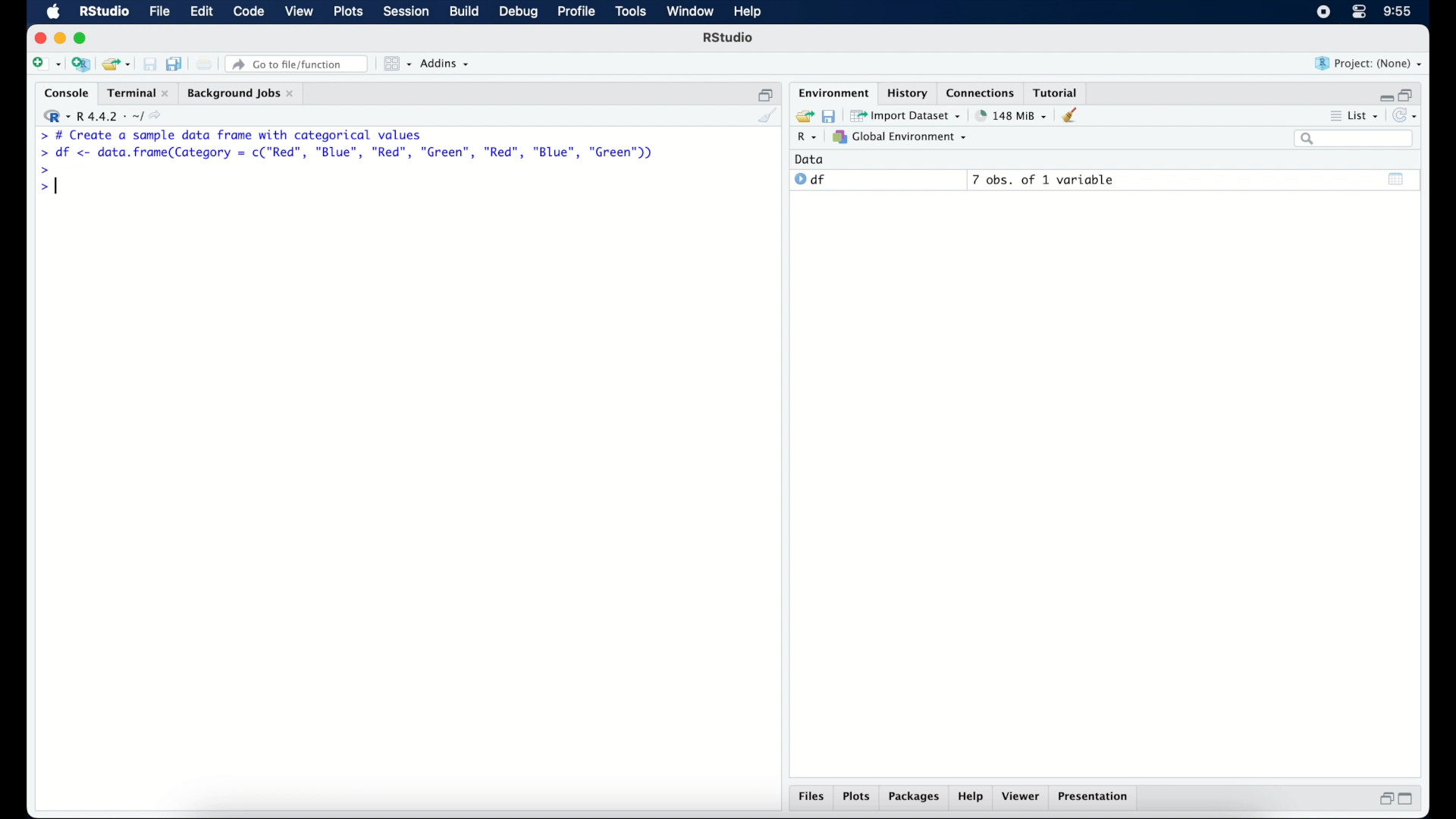  Describe the element at coordinates (814, 159) in the screenshot. I see `data` at that location.